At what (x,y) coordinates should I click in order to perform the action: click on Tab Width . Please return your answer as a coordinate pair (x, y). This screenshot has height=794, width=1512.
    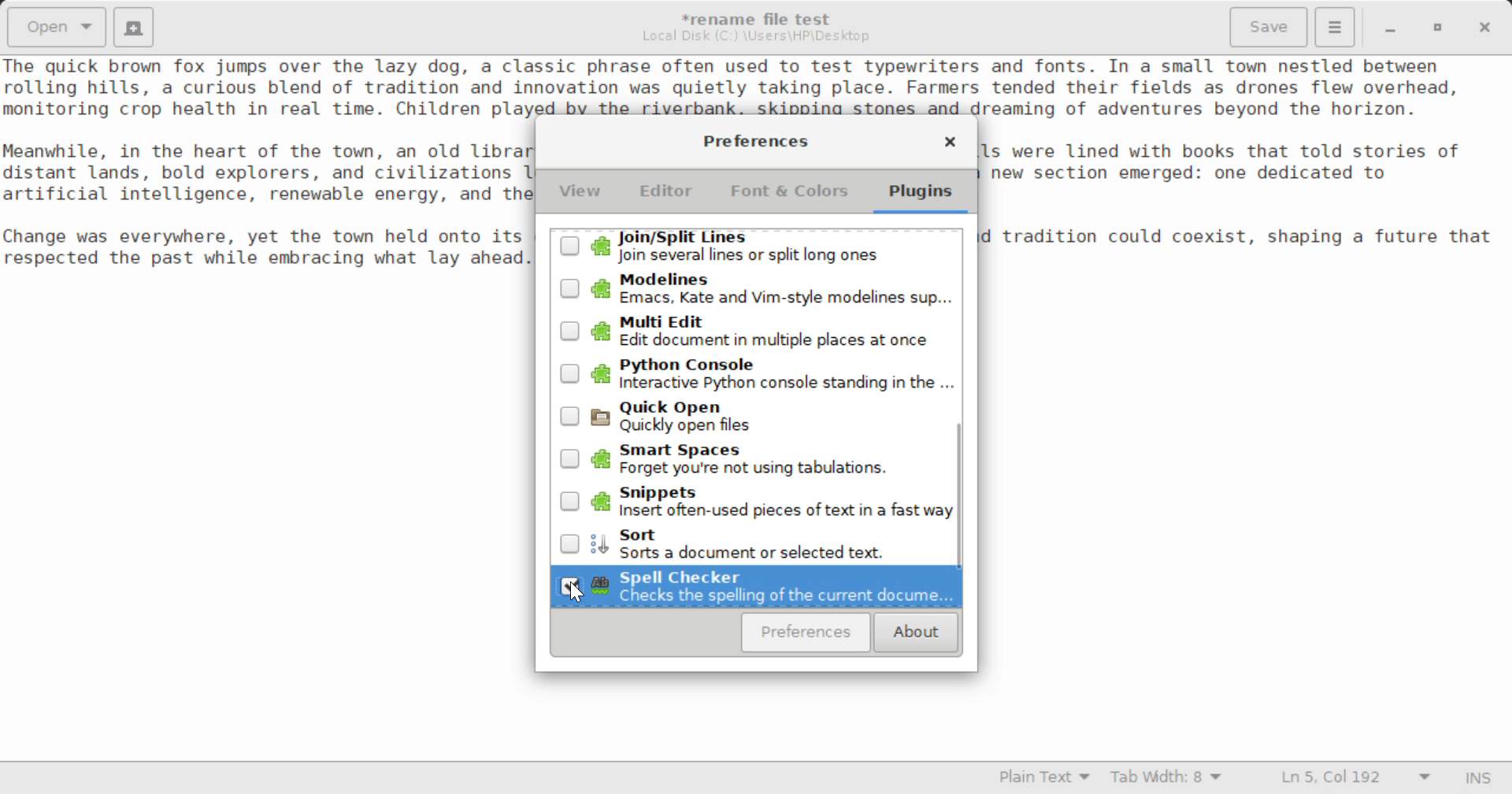
    Looking at the image, I should click on (1169, 779).